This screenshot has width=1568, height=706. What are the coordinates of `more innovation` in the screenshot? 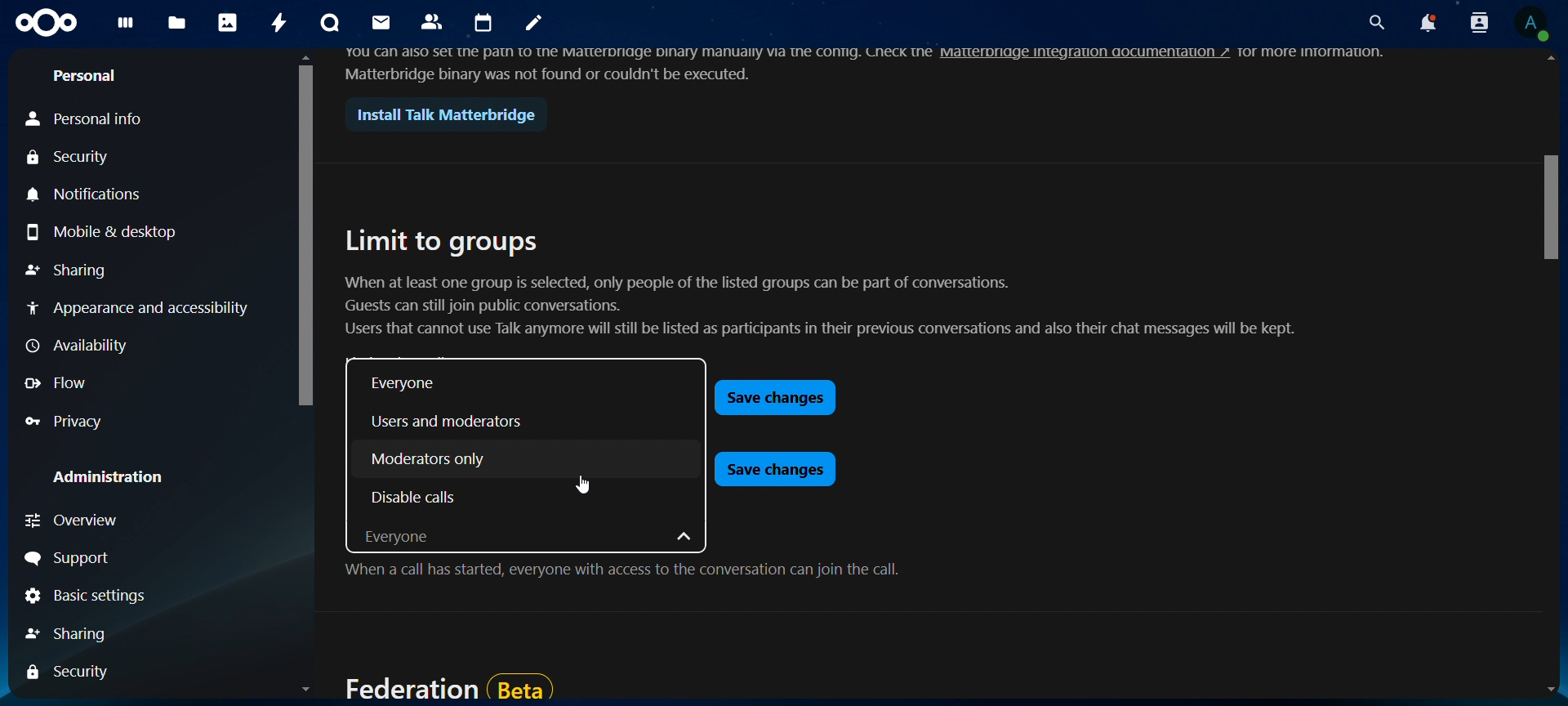 It's located at (1329, 52).